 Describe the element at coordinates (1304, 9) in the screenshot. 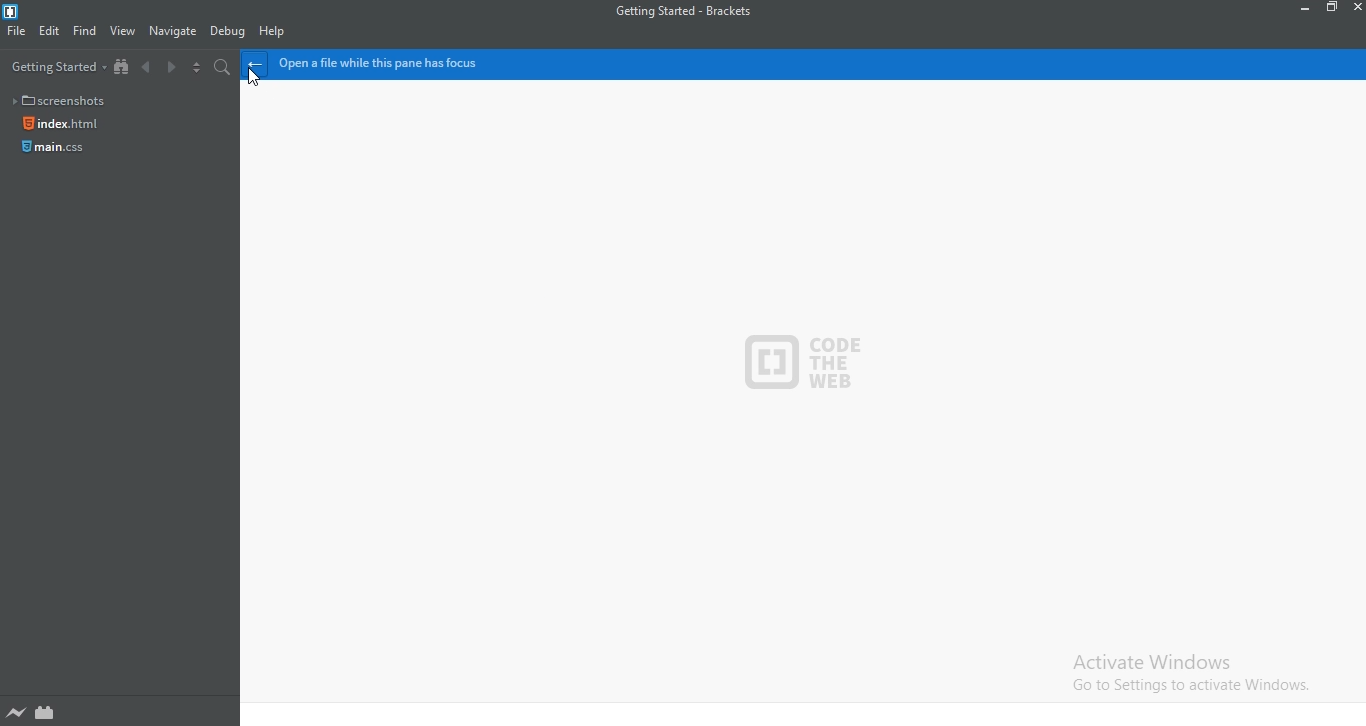

I see `Minimise` at that location.